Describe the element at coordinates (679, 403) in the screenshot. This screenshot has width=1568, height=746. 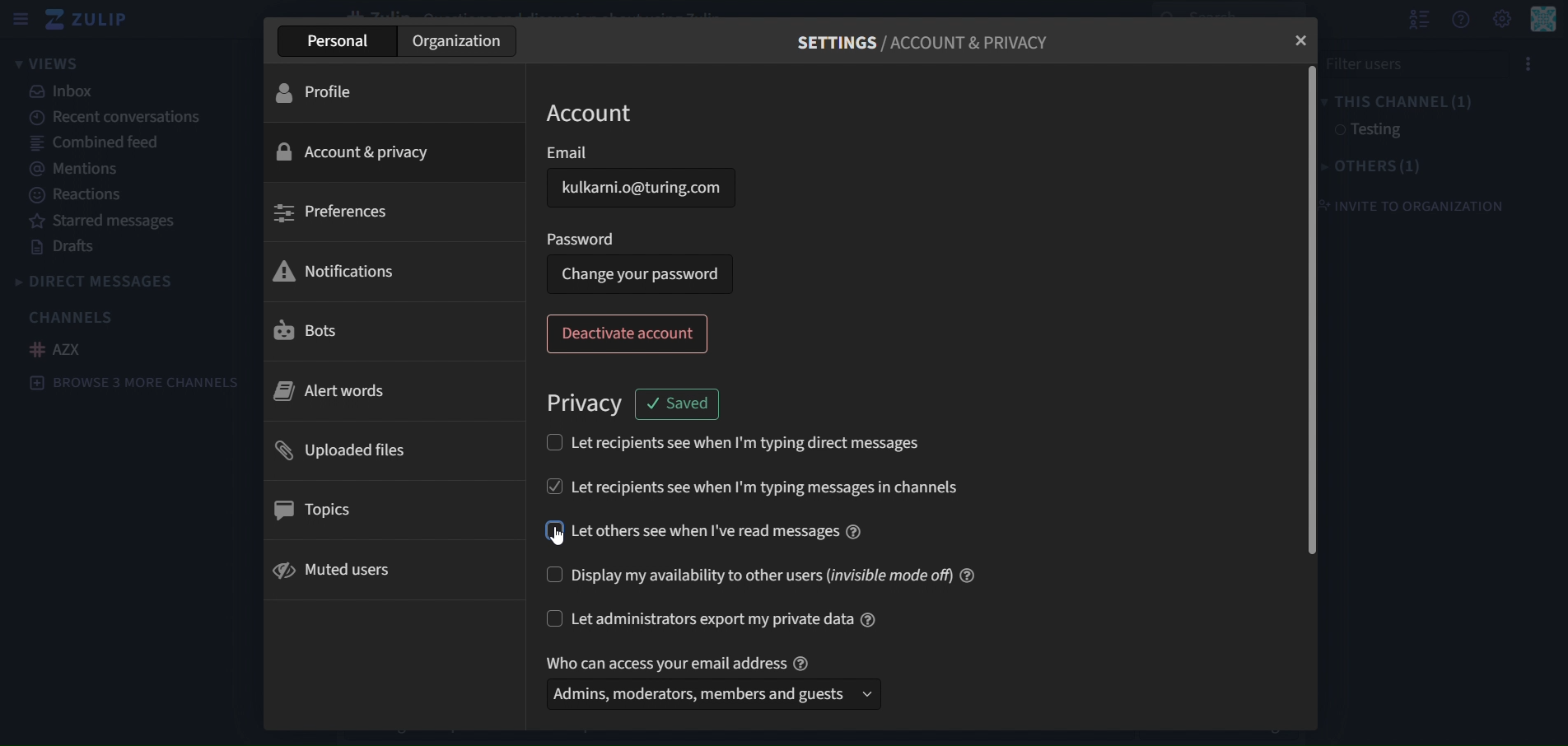
I see `saved` at that location.